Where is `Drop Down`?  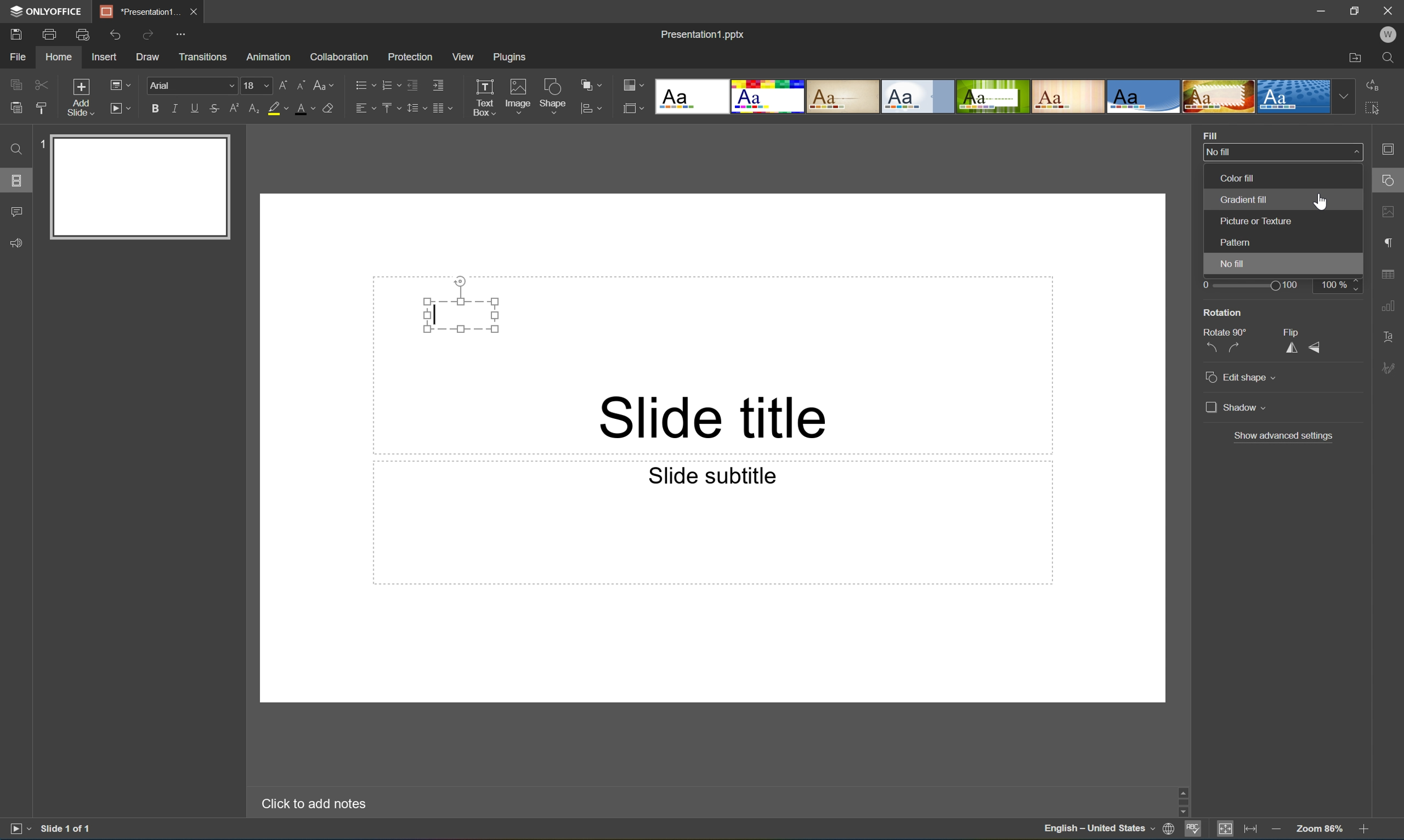
Drop Down is located at coordinates (1345, 96).